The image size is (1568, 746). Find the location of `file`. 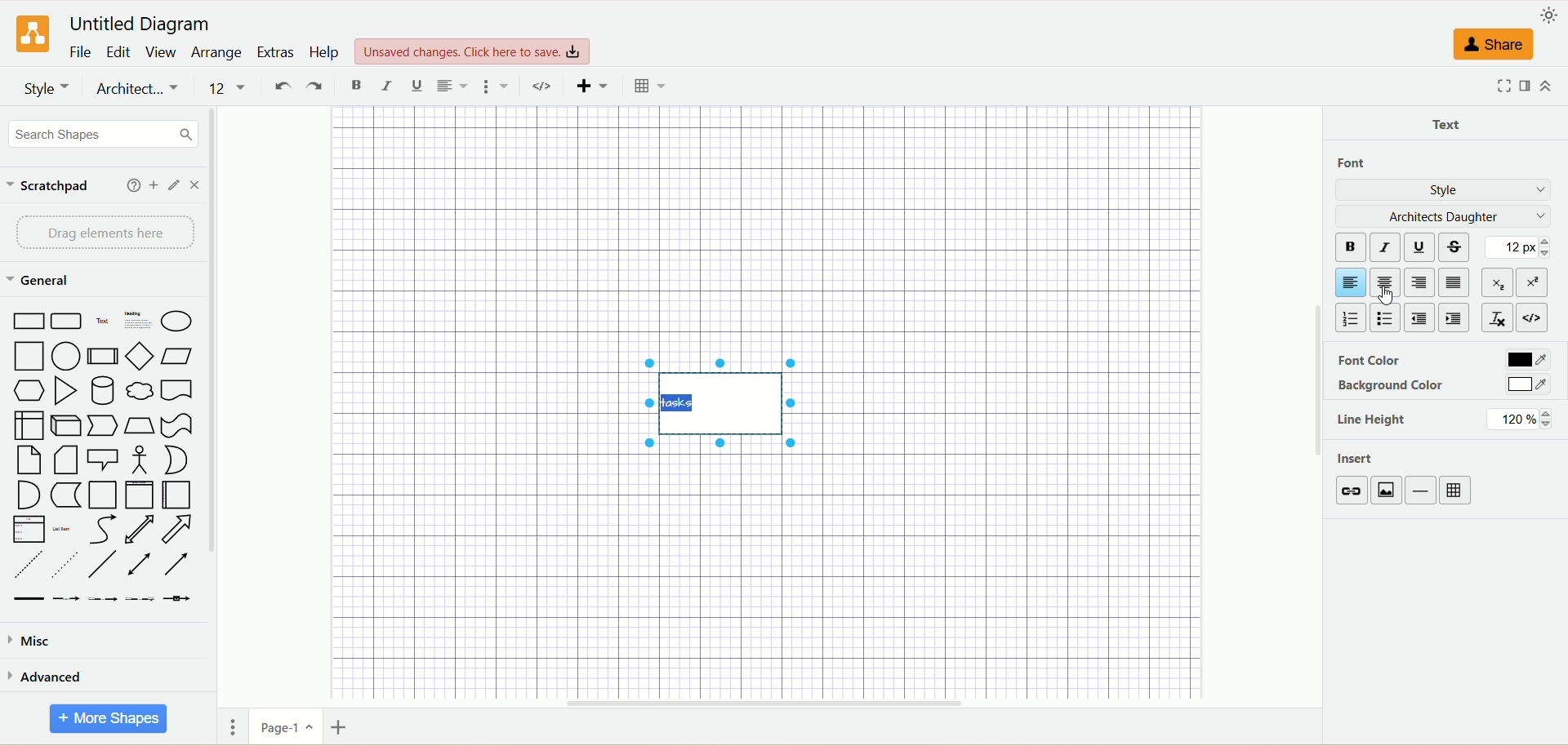

file is located at coordinates (82, 51).